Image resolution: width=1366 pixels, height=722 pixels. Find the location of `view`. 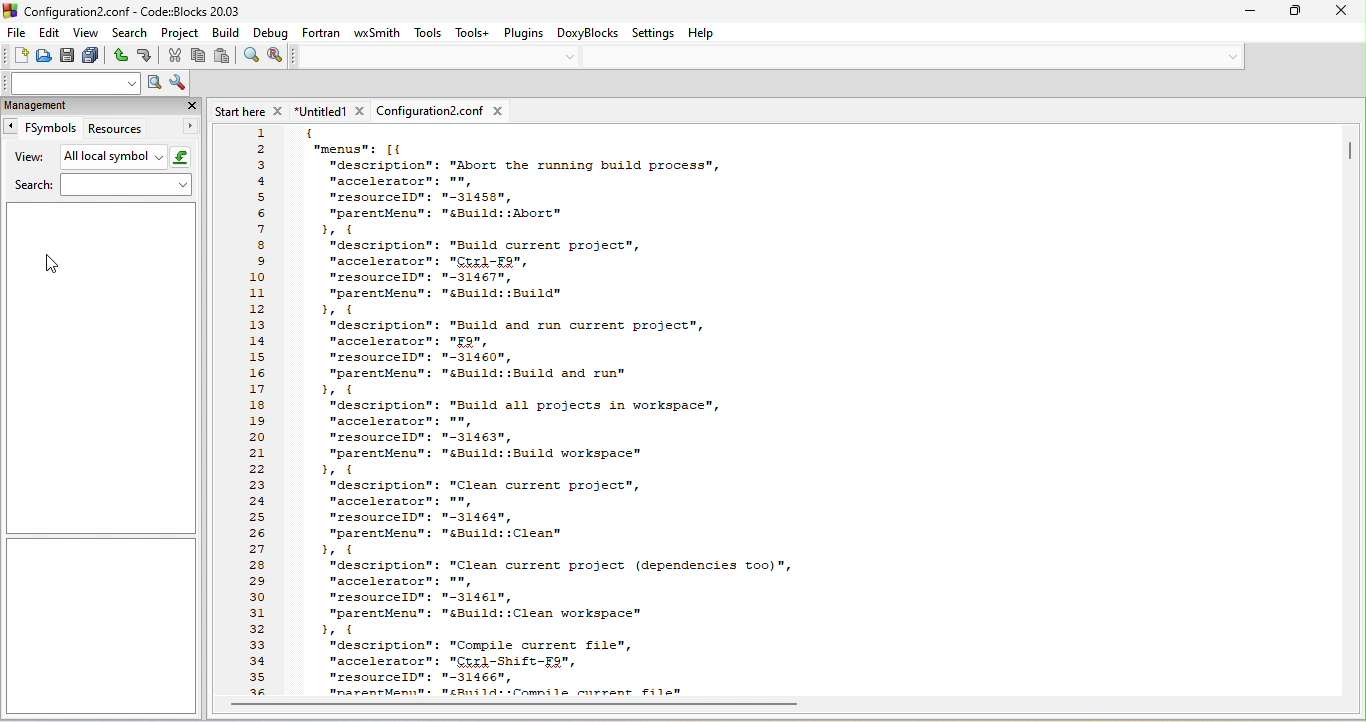

view is located at coordinates (26, 158).